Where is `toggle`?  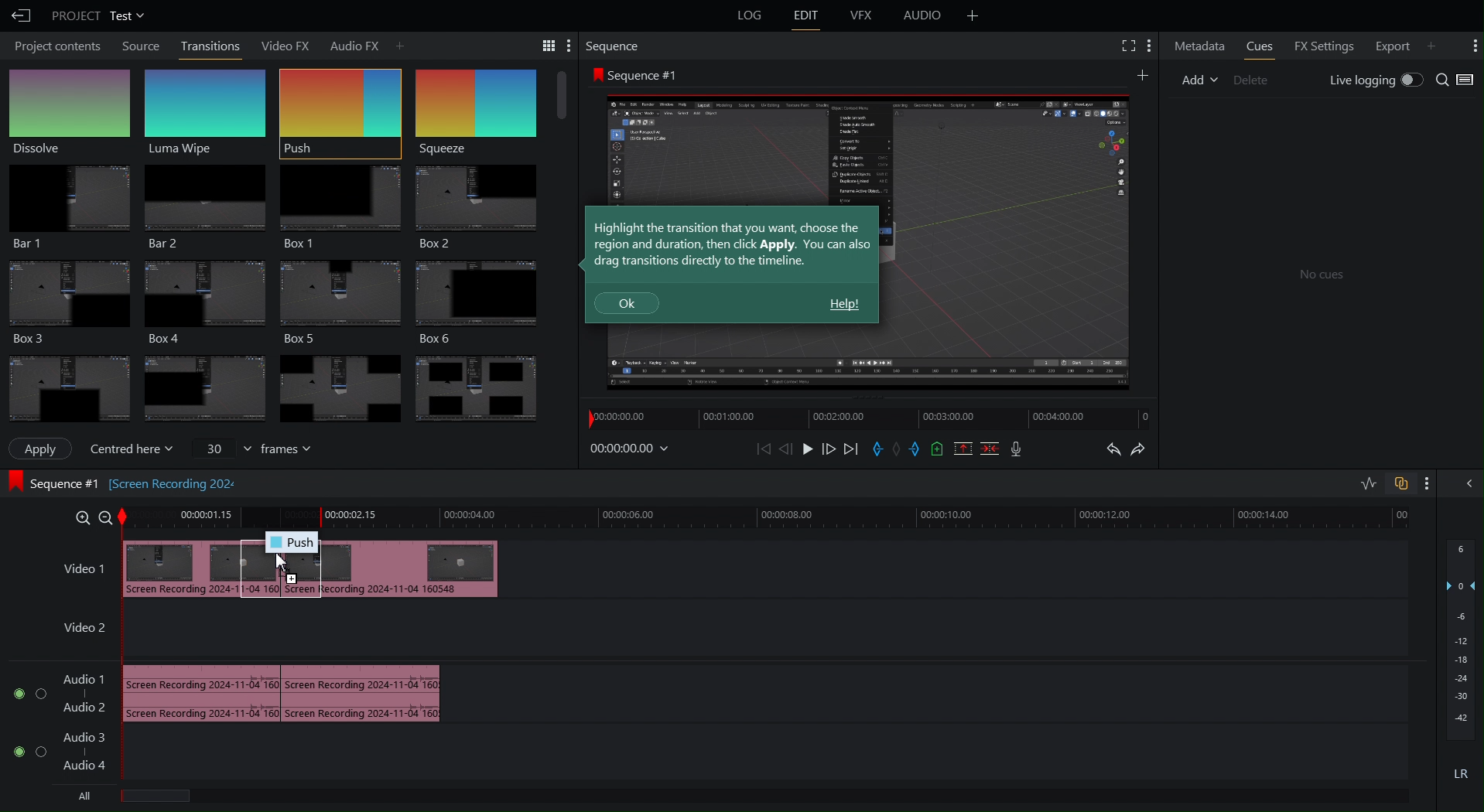 toggle is located at coordinates (39, 752).